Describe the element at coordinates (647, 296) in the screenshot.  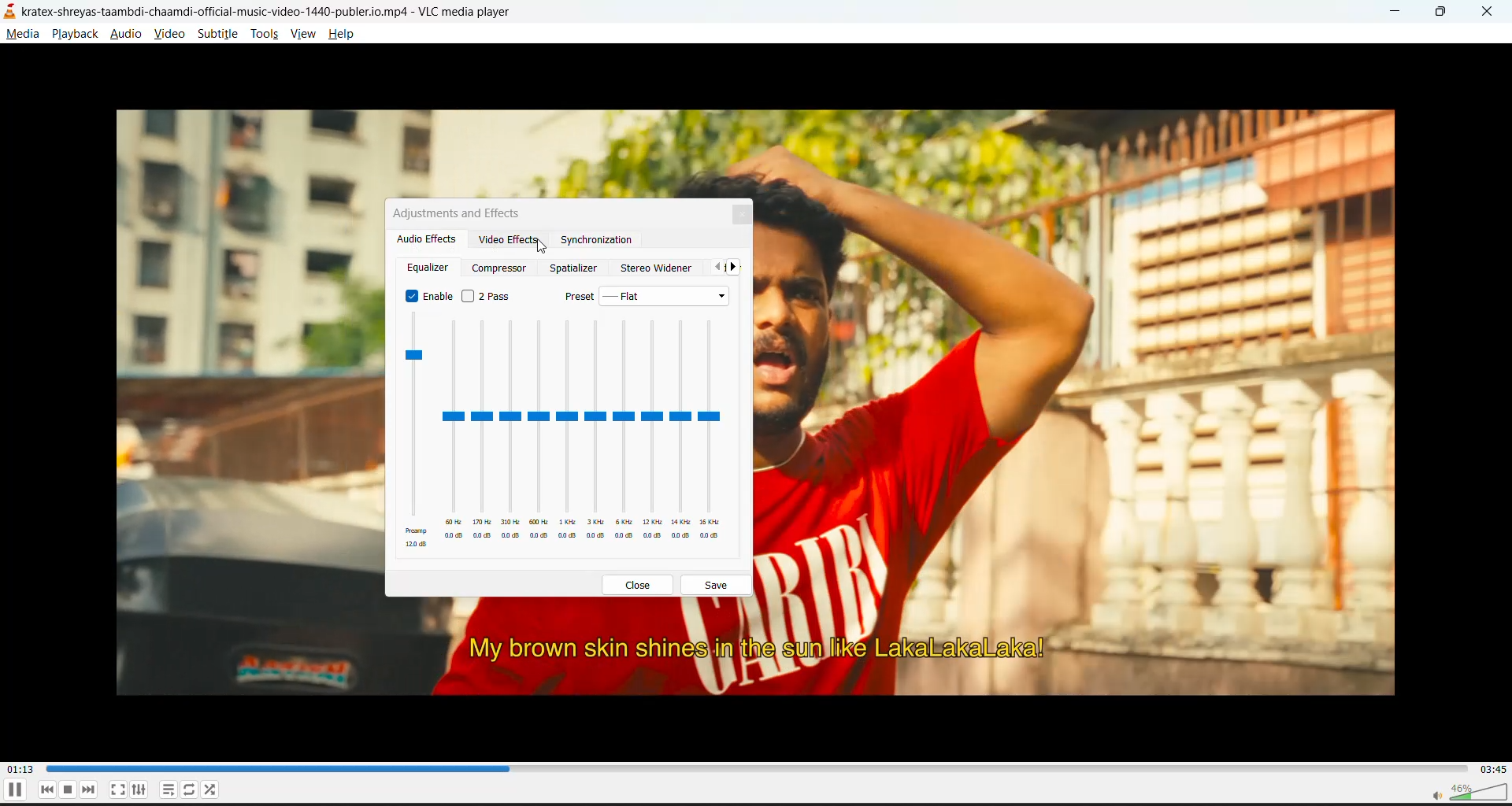
I see `preset` at that location.